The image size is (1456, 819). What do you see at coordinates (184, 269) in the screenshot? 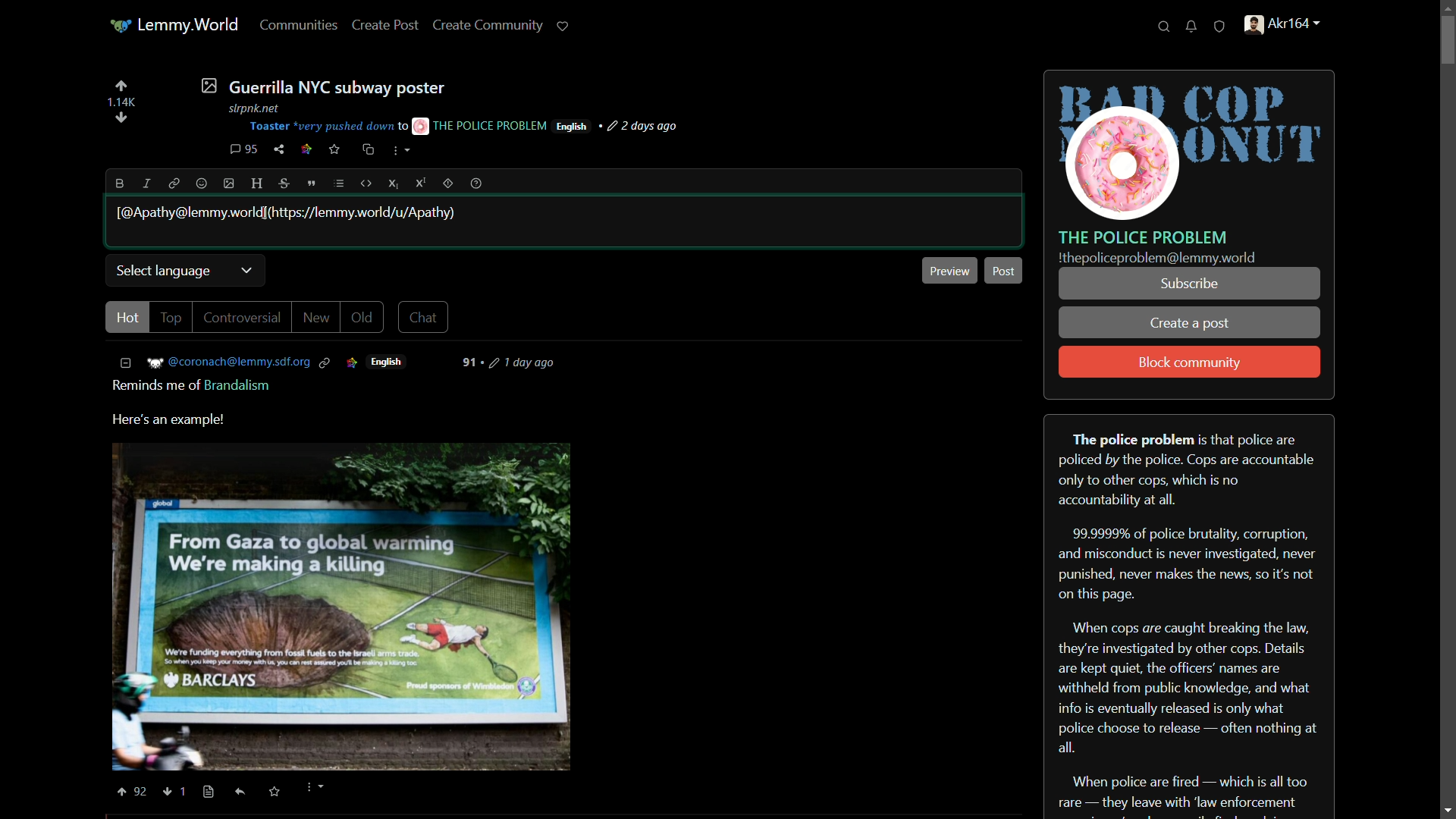
I see `Select language v` at bounding box center [184, 269].